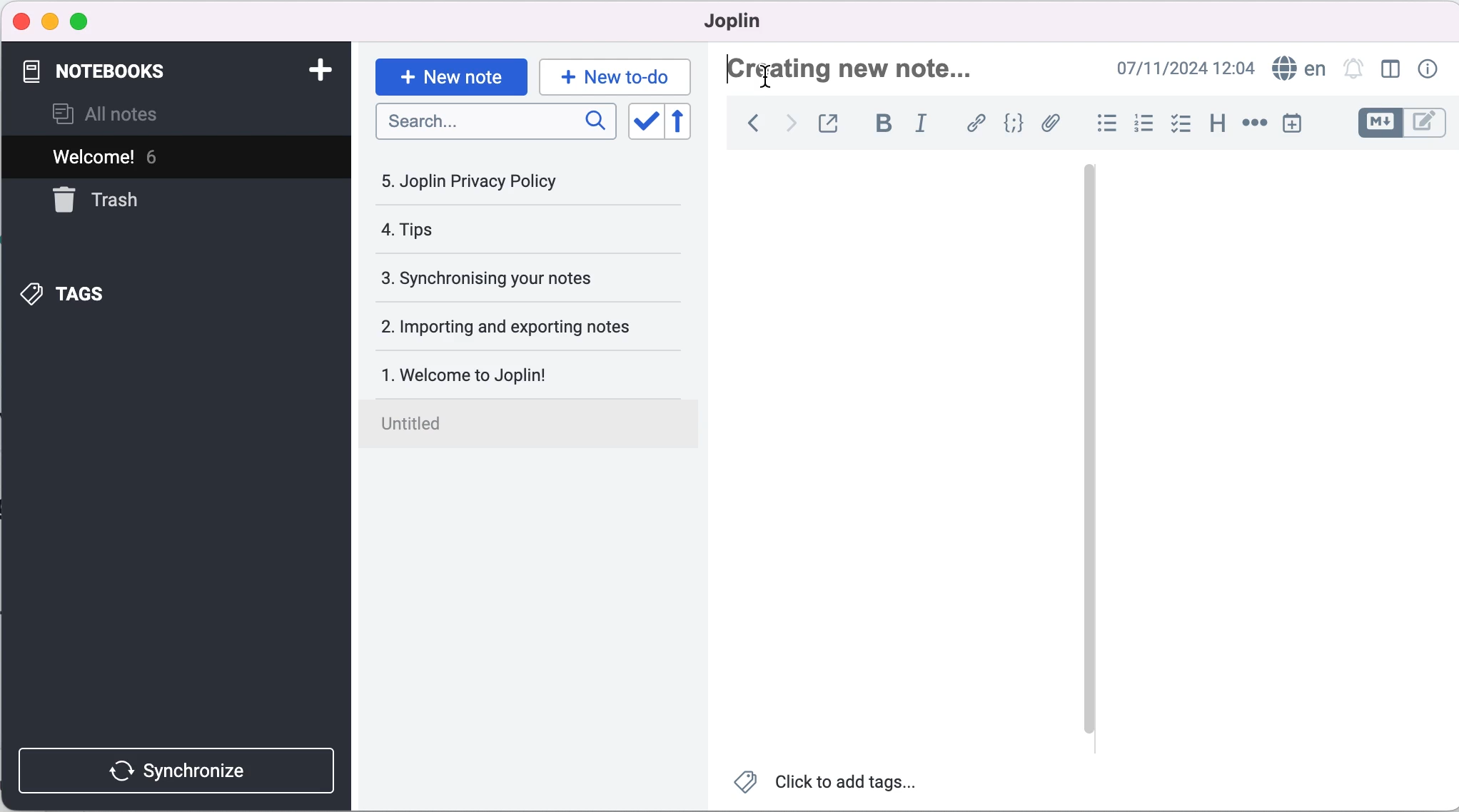 Image resolution: width=1459 pixels, height=812 pixels. What do you see at coordinates (532, 367) in the screenshot?
I see `welcome to joplin` at bounding box center [532, 367].